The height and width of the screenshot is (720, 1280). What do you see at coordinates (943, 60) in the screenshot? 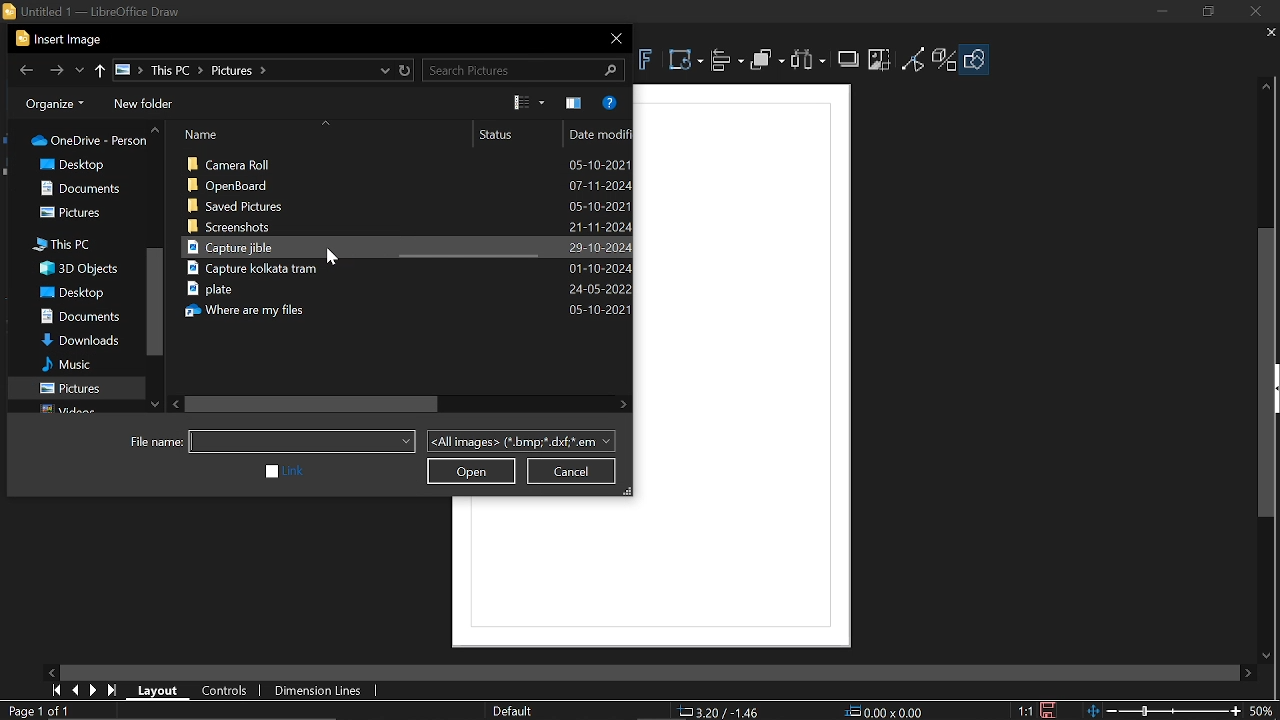
I see `Toggle extrusion` at bounding box center [943, 60].